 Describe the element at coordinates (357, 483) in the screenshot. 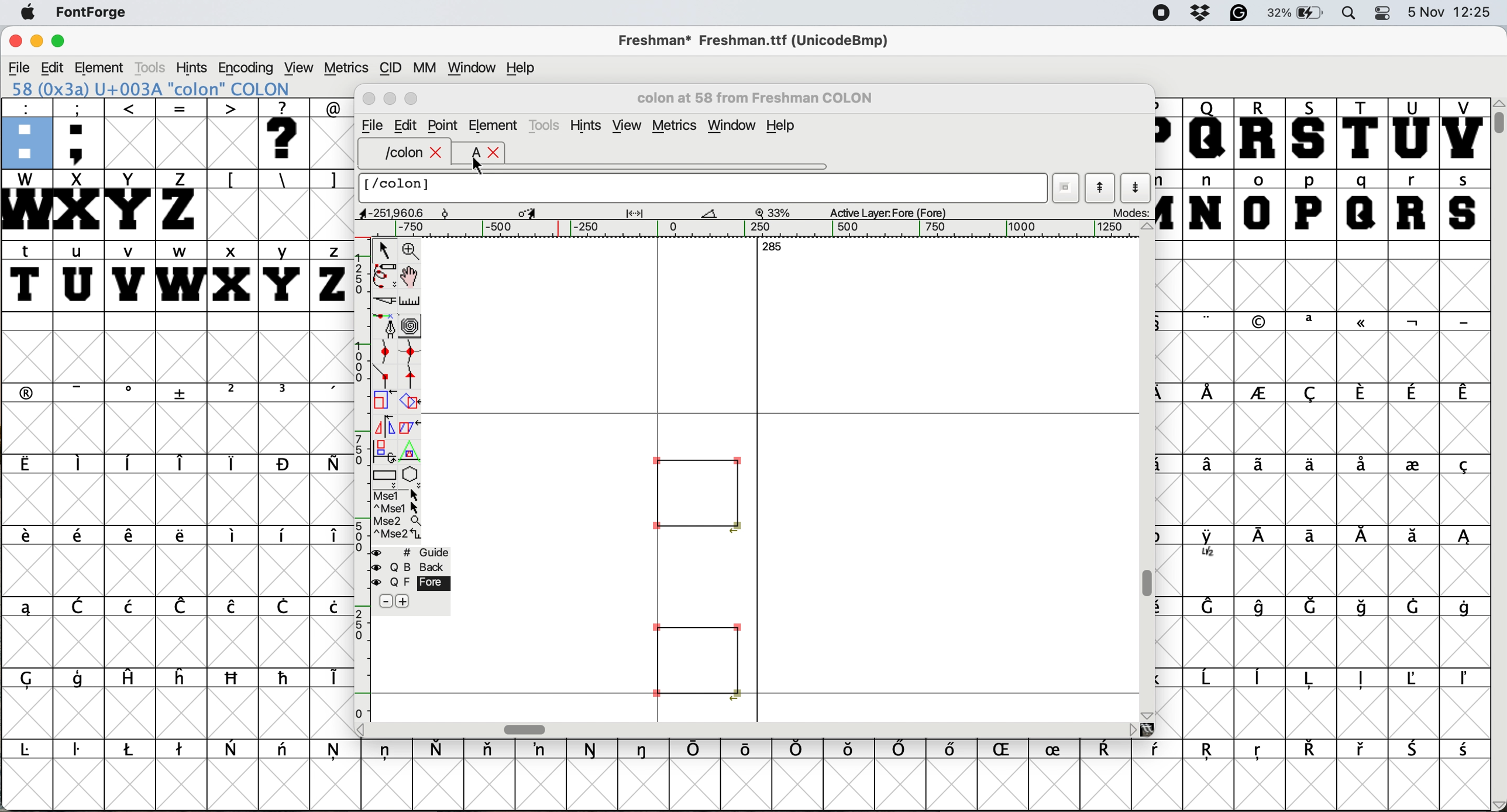

I see `vertical scale` at that location.